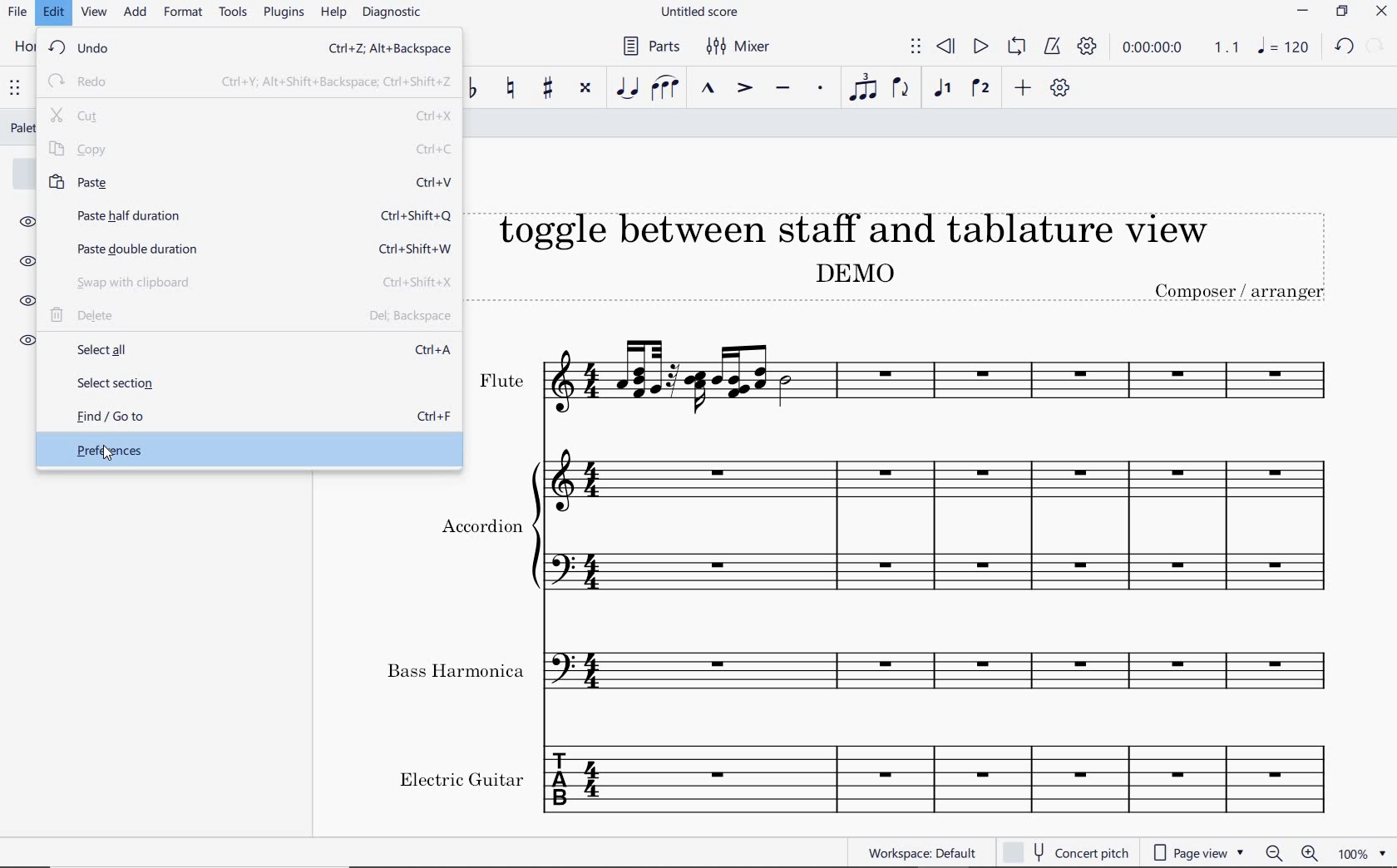  What do you see at coordinates (980, 47) in the screenshot?
I see `play` at bounding box center [980, 47].